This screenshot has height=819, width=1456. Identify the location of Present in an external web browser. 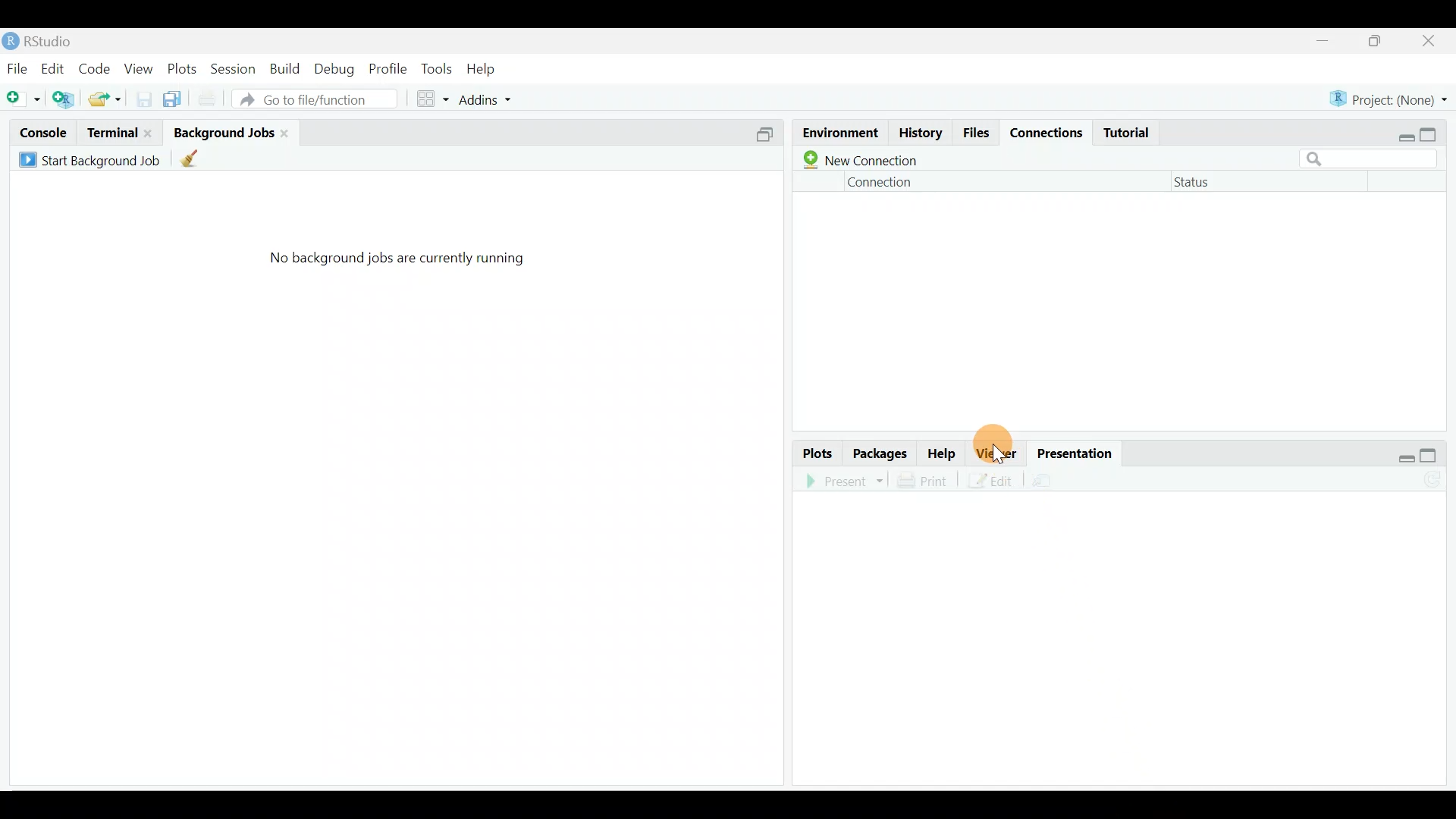
(1054, 477).